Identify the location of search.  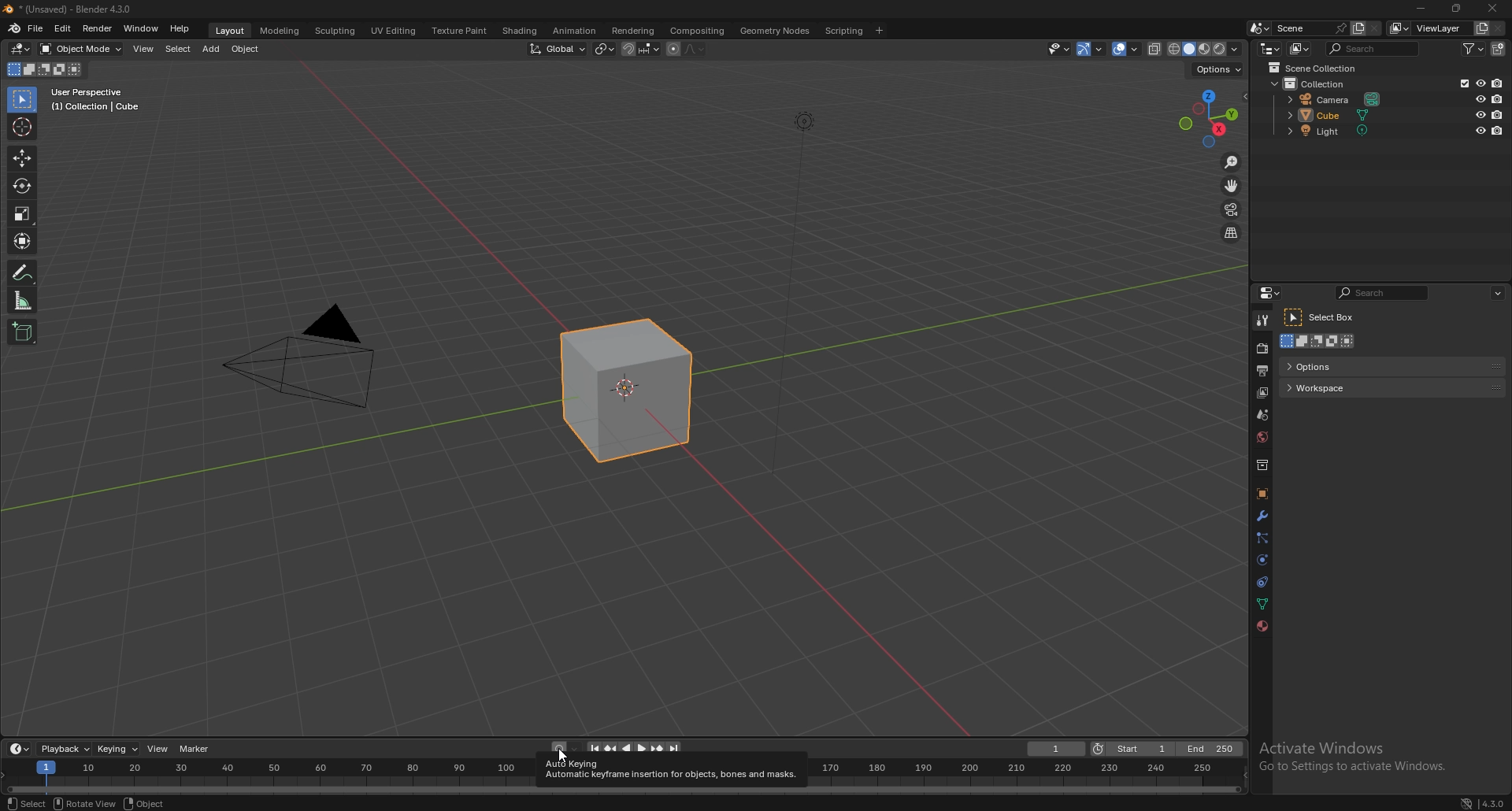
(1383, 292).